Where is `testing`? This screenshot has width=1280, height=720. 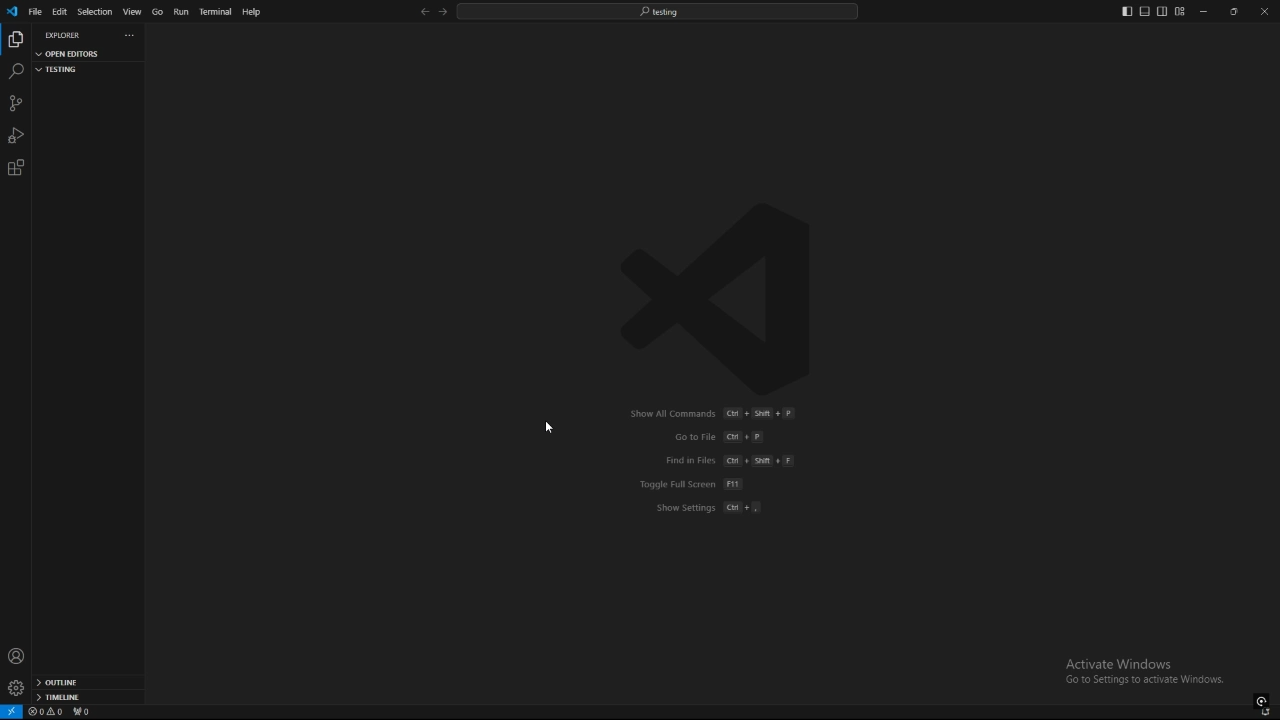
testing is located at coordinates (79, 69).